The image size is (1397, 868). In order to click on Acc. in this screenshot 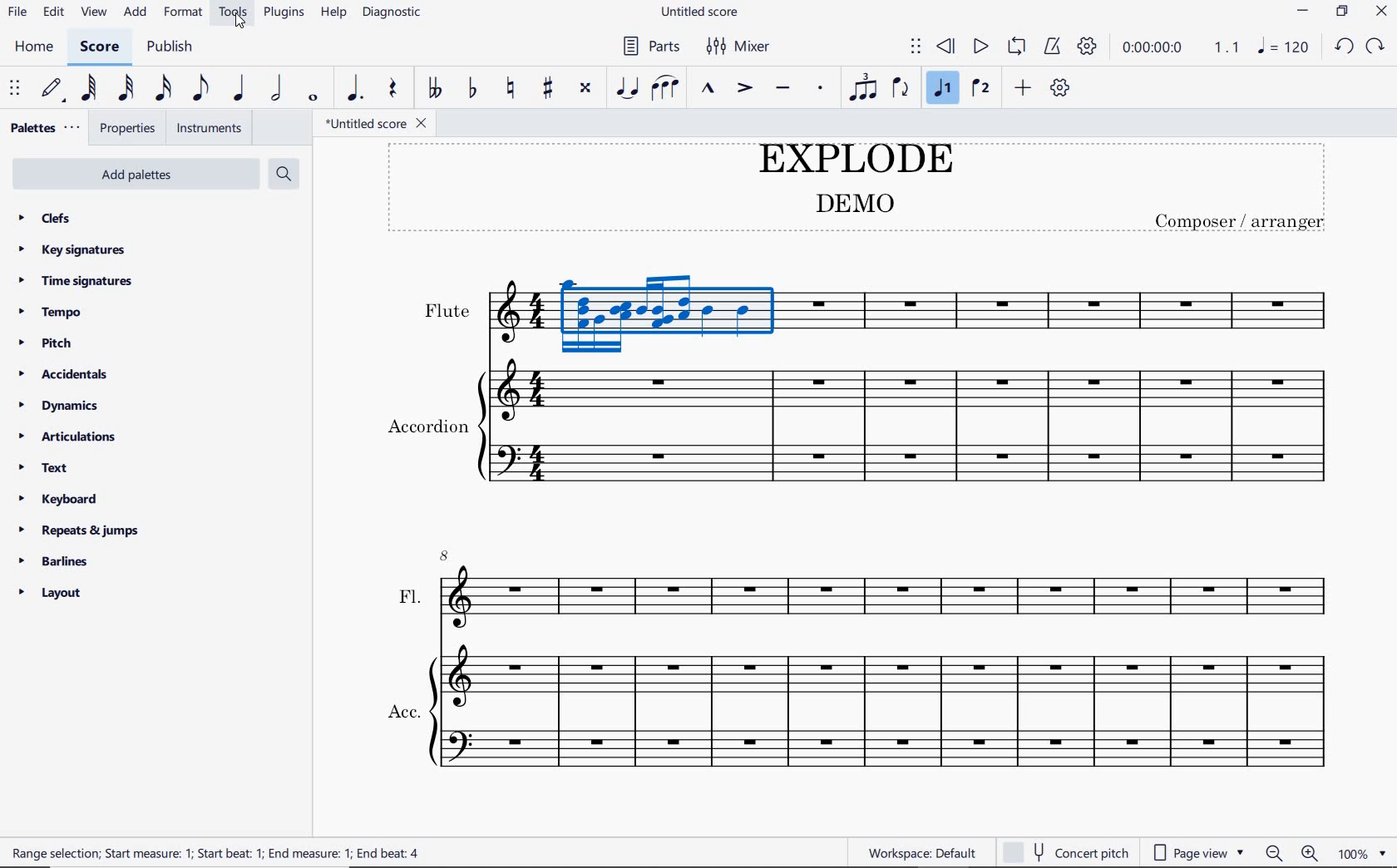, I will do `click(862, 713)`.